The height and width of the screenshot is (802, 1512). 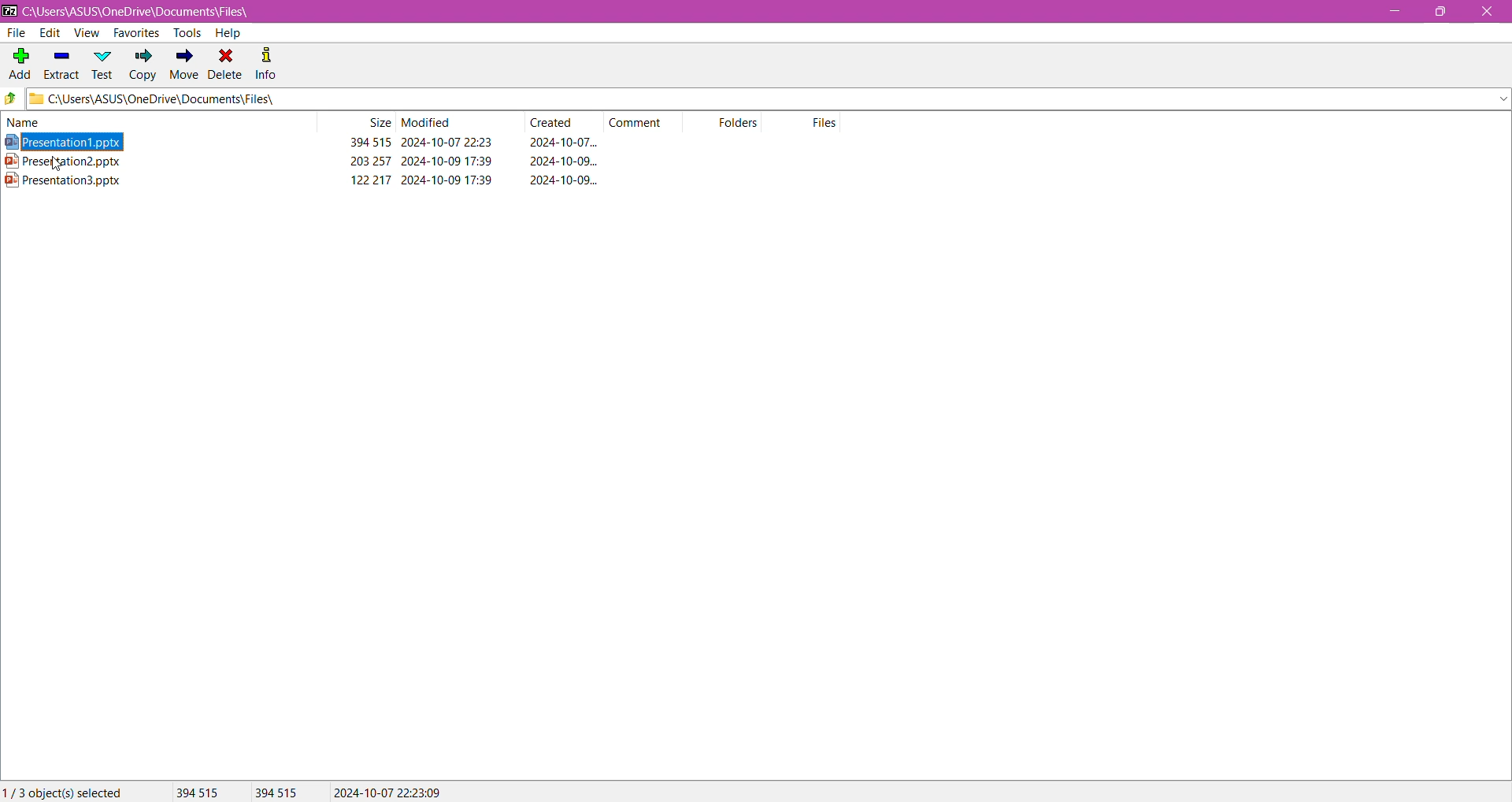 What do you see at coordinates (9, 10) in the screenshot?
I see `Application Logo` at bounding box center [9, 10].